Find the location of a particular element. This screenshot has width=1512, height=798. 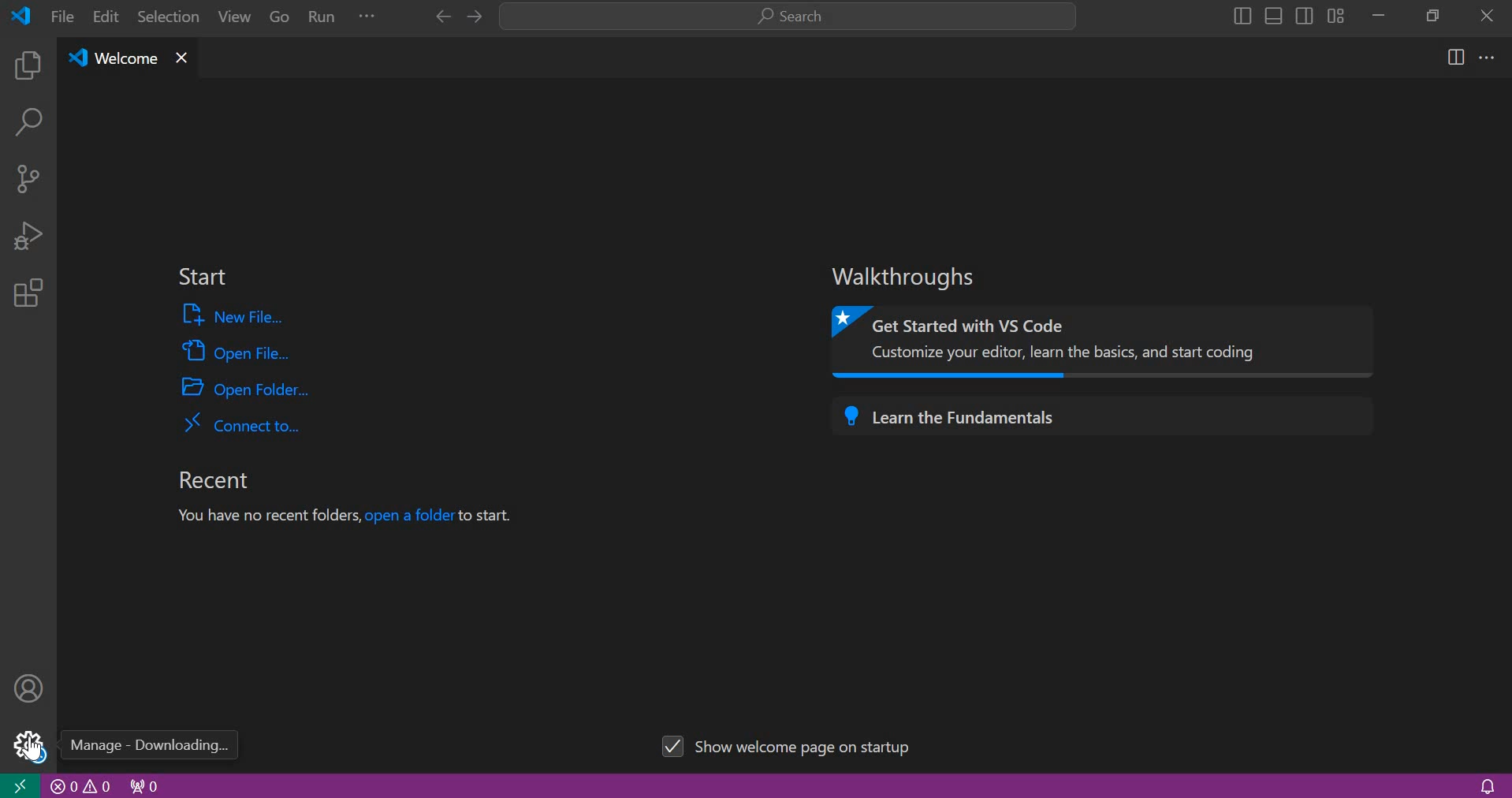

file is located at coordinates (62, 16).